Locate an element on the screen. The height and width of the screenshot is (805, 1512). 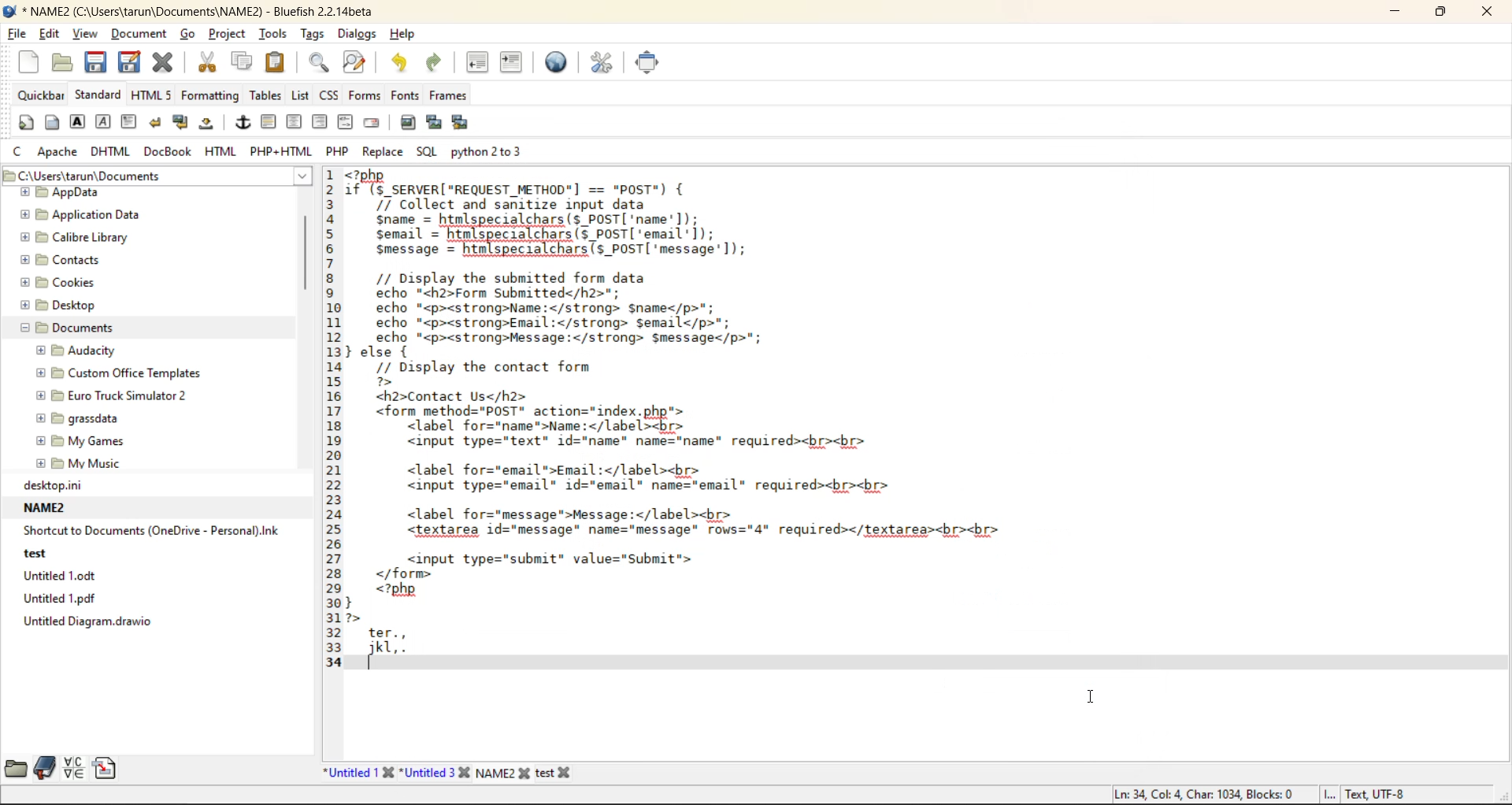
python 2 to 3 is located at coordinates (491, 150).